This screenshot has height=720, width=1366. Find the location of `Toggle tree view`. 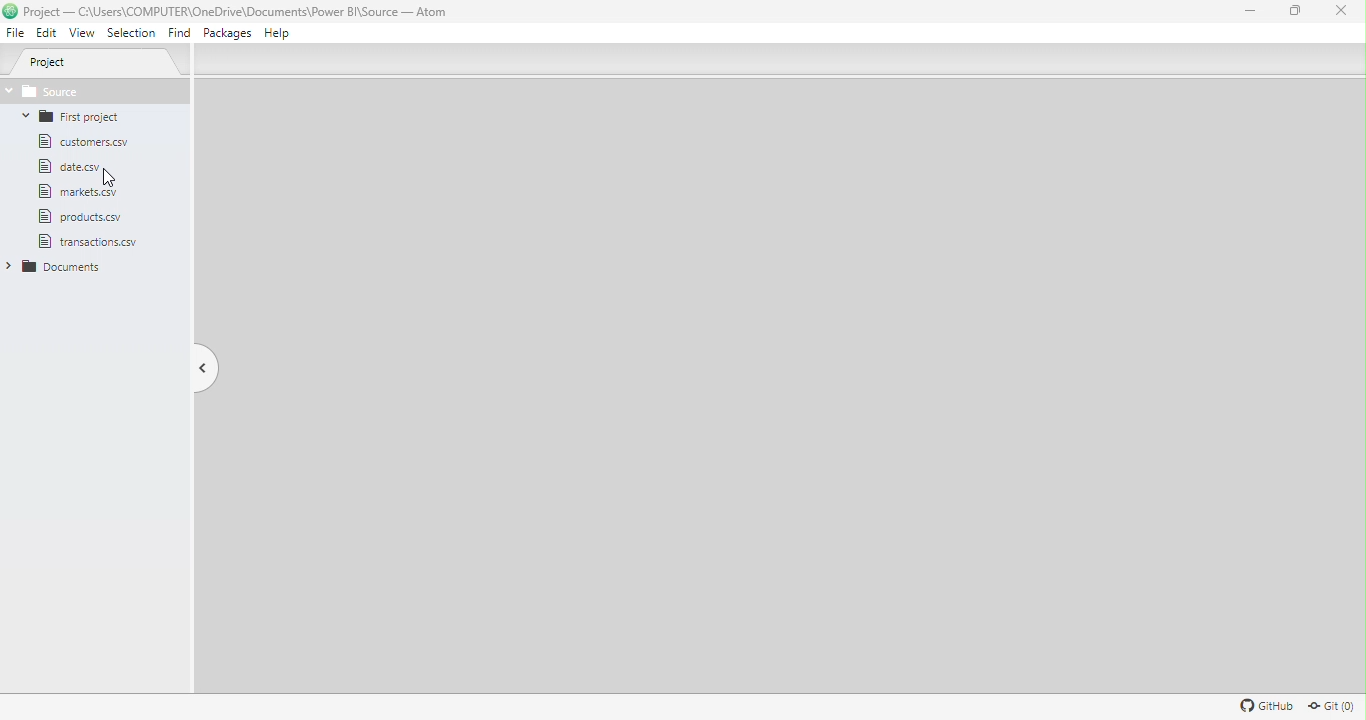

Toggle tree view is located at coordinates (203, 360).